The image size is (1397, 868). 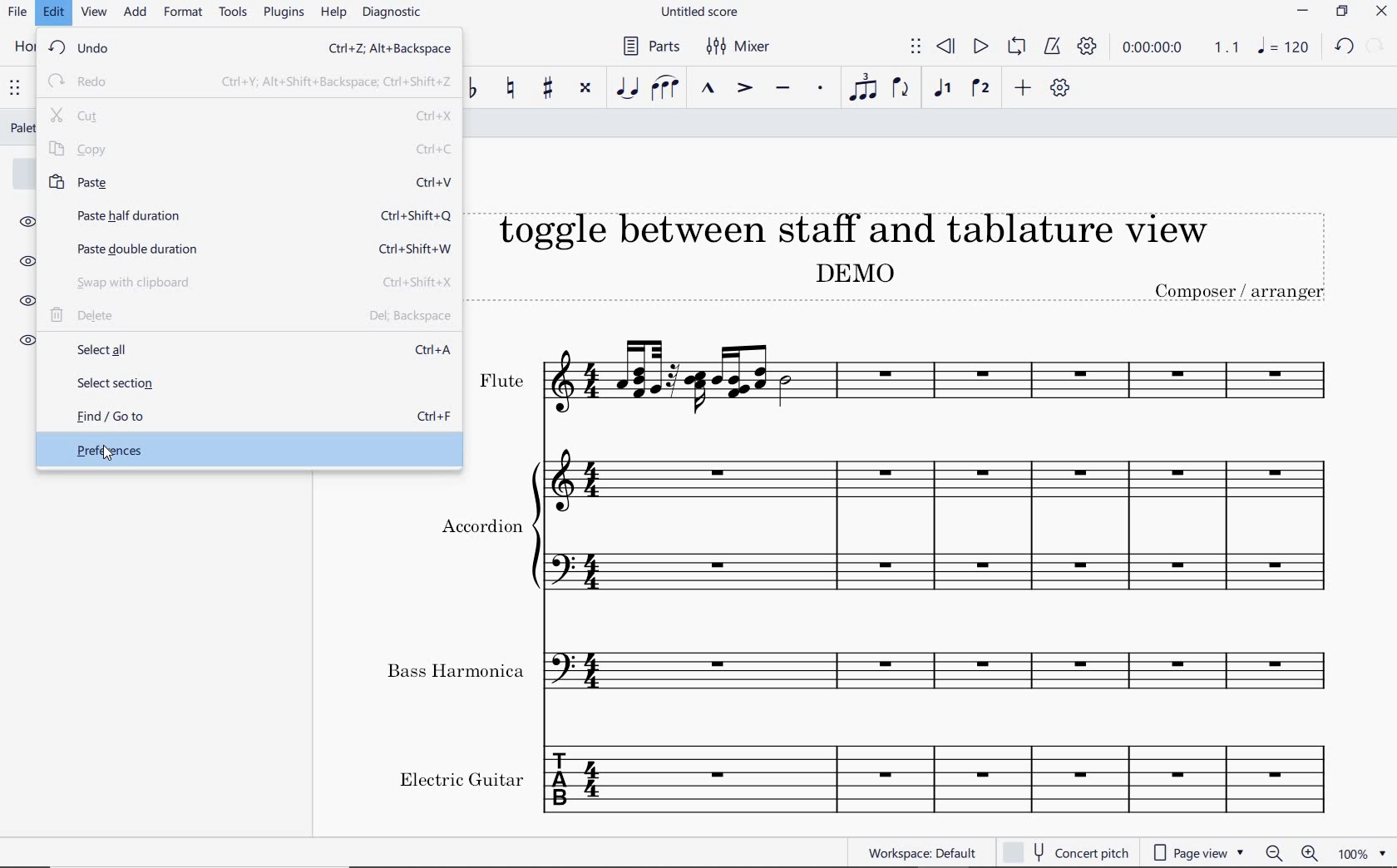 What do you see at coordinates (1022, 89) in the screenshot?
I see `add` at bounding box center [1022, 89].